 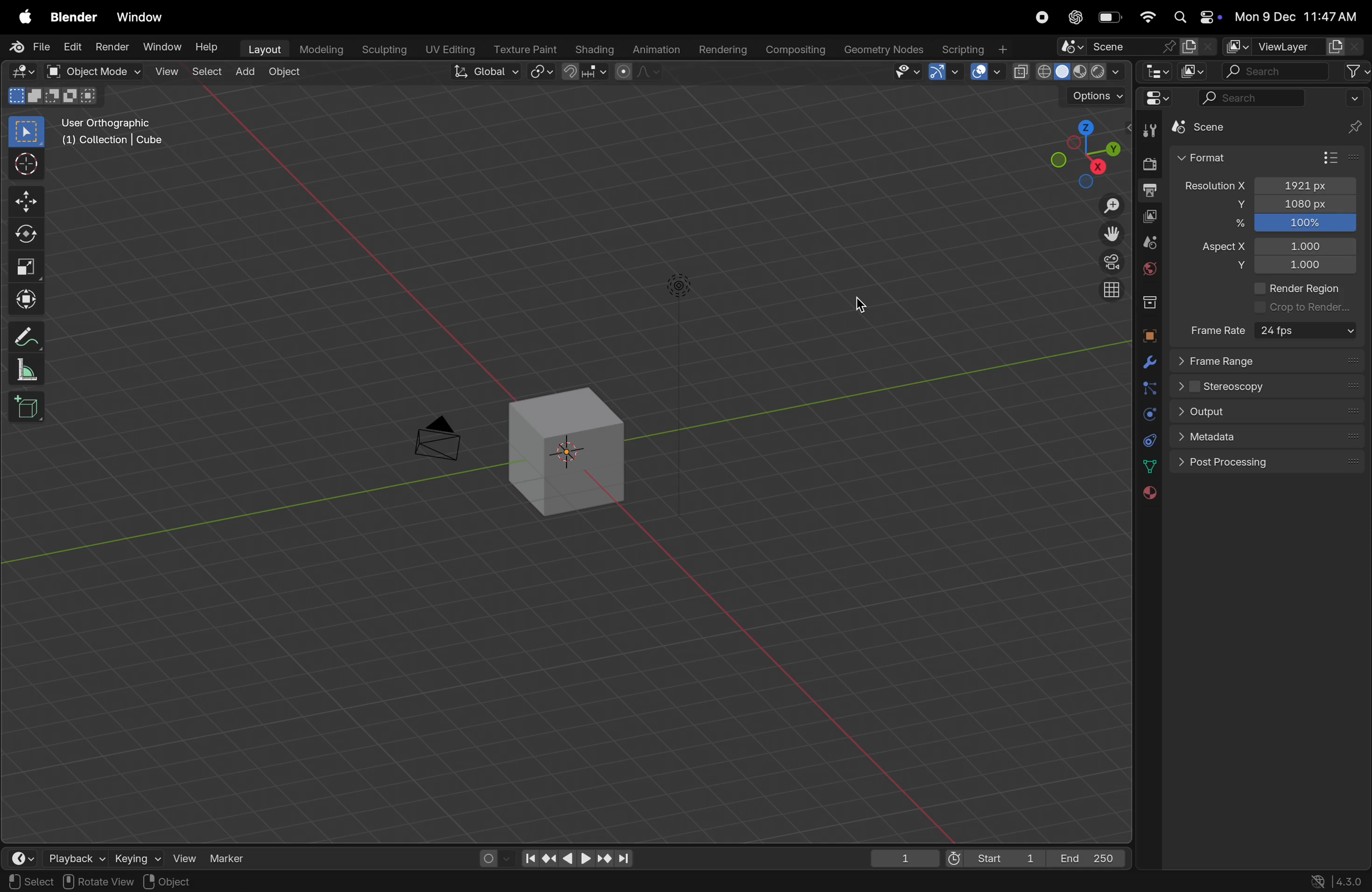 What do you see at coordinates (77, 856) in the screenshot?
I see `playback` at bounding box center [77, 856].